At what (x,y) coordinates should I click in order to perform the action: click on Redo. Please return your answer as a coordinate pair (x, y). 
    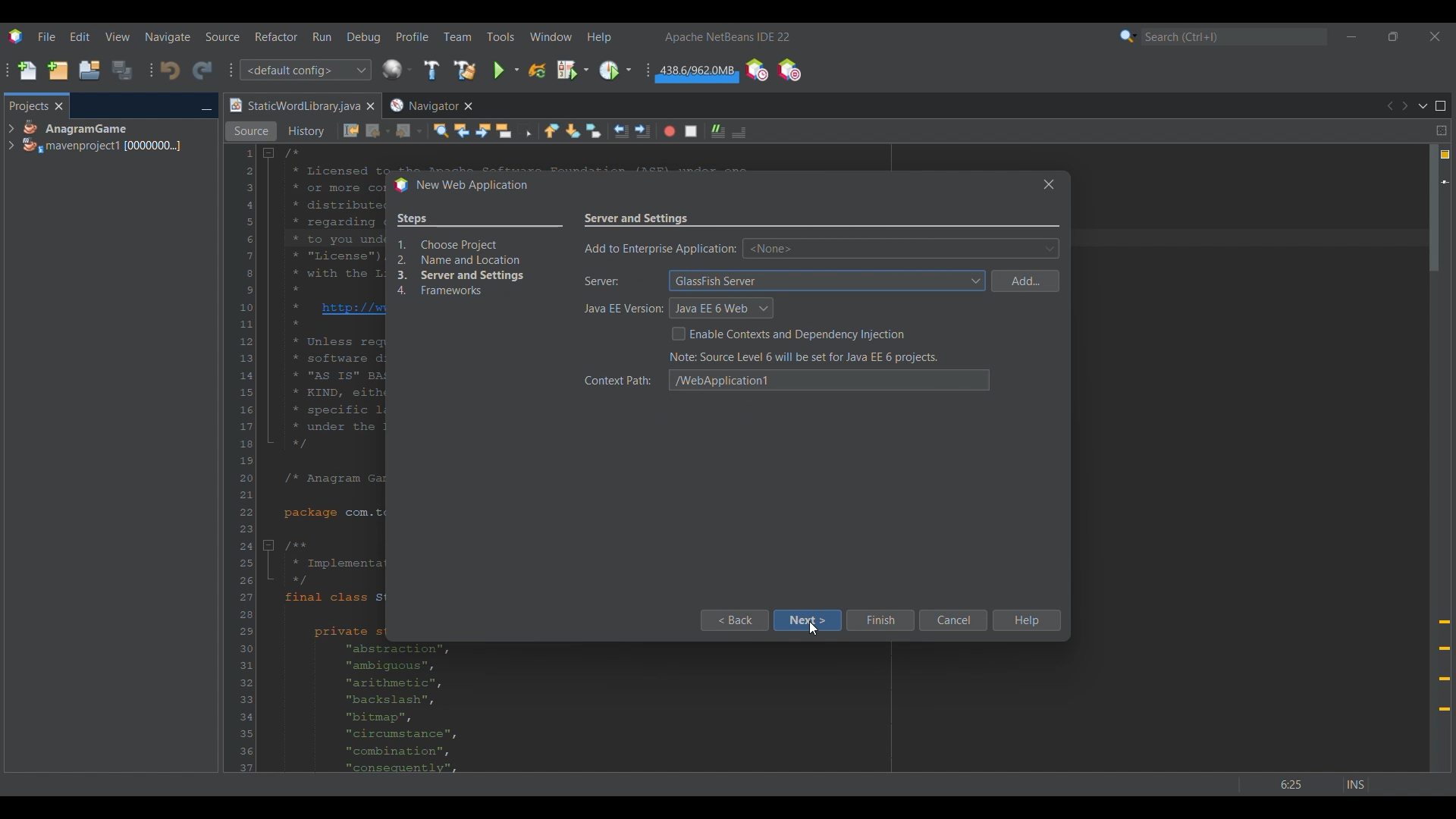
    Looking at the image, I should click on (202, 70).